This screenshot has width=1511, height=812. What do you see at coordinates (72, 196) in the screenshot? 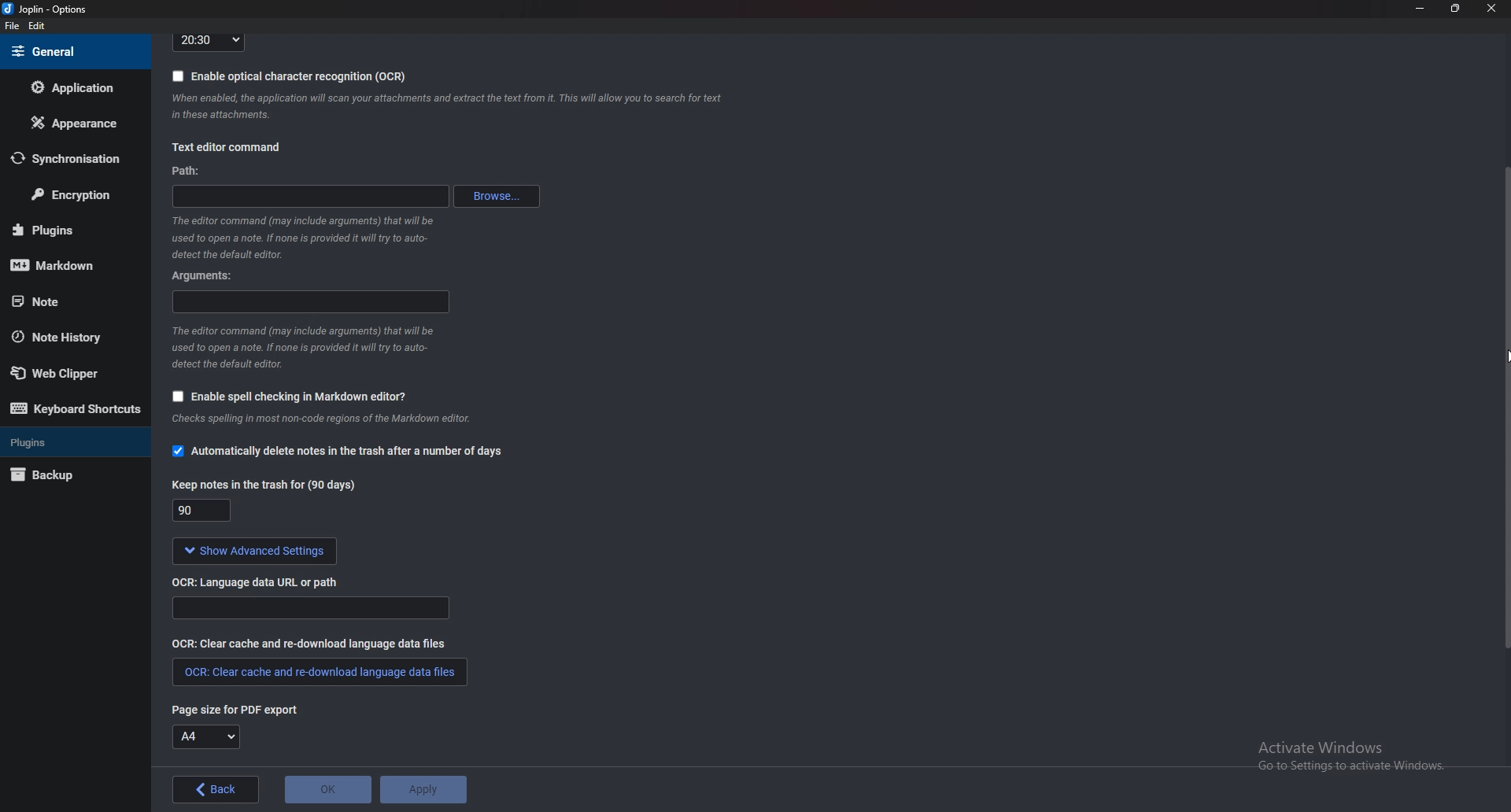
I see `Encryption` at bounding box center [72, 196].